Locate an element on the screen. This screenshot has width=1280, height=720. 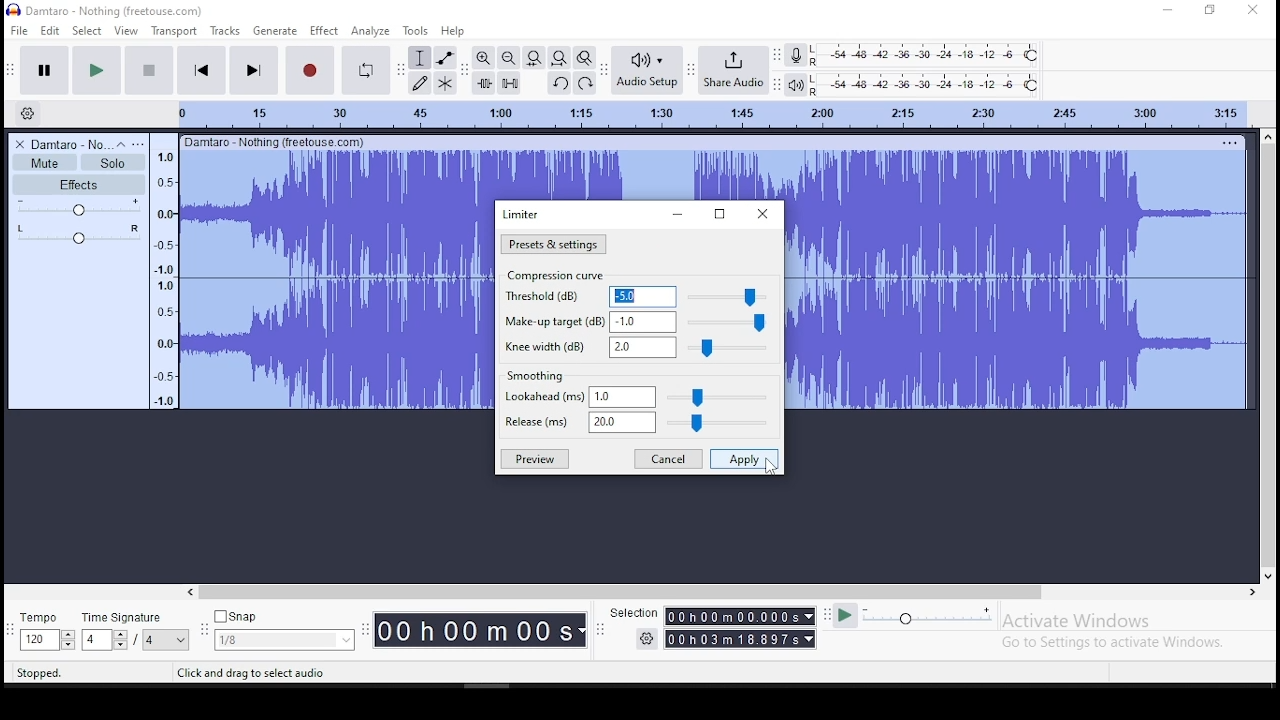
fit project to width is located at coordinates (562, 60).